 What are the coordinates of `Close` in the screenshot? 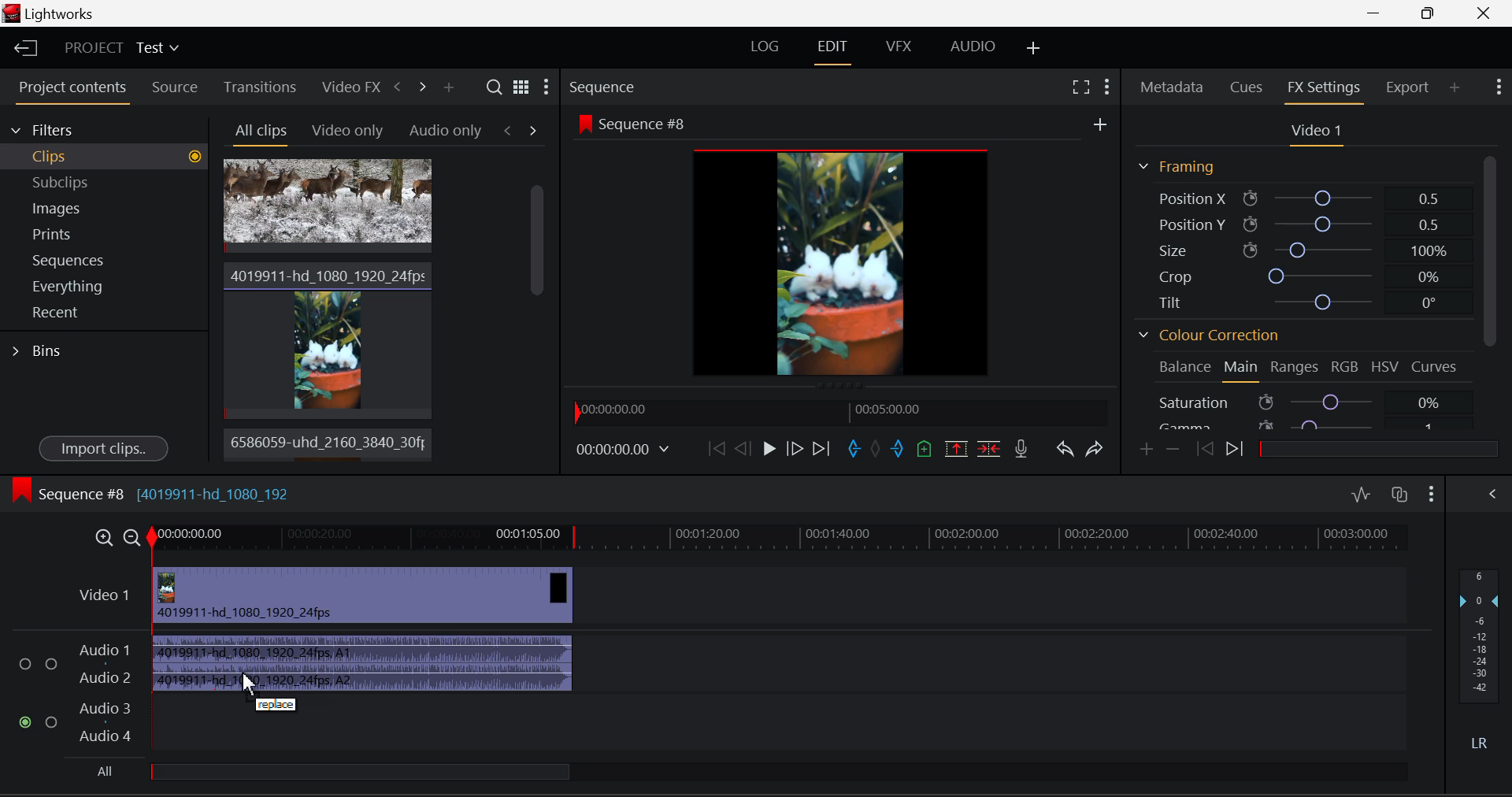 It's located at (1484, 13).